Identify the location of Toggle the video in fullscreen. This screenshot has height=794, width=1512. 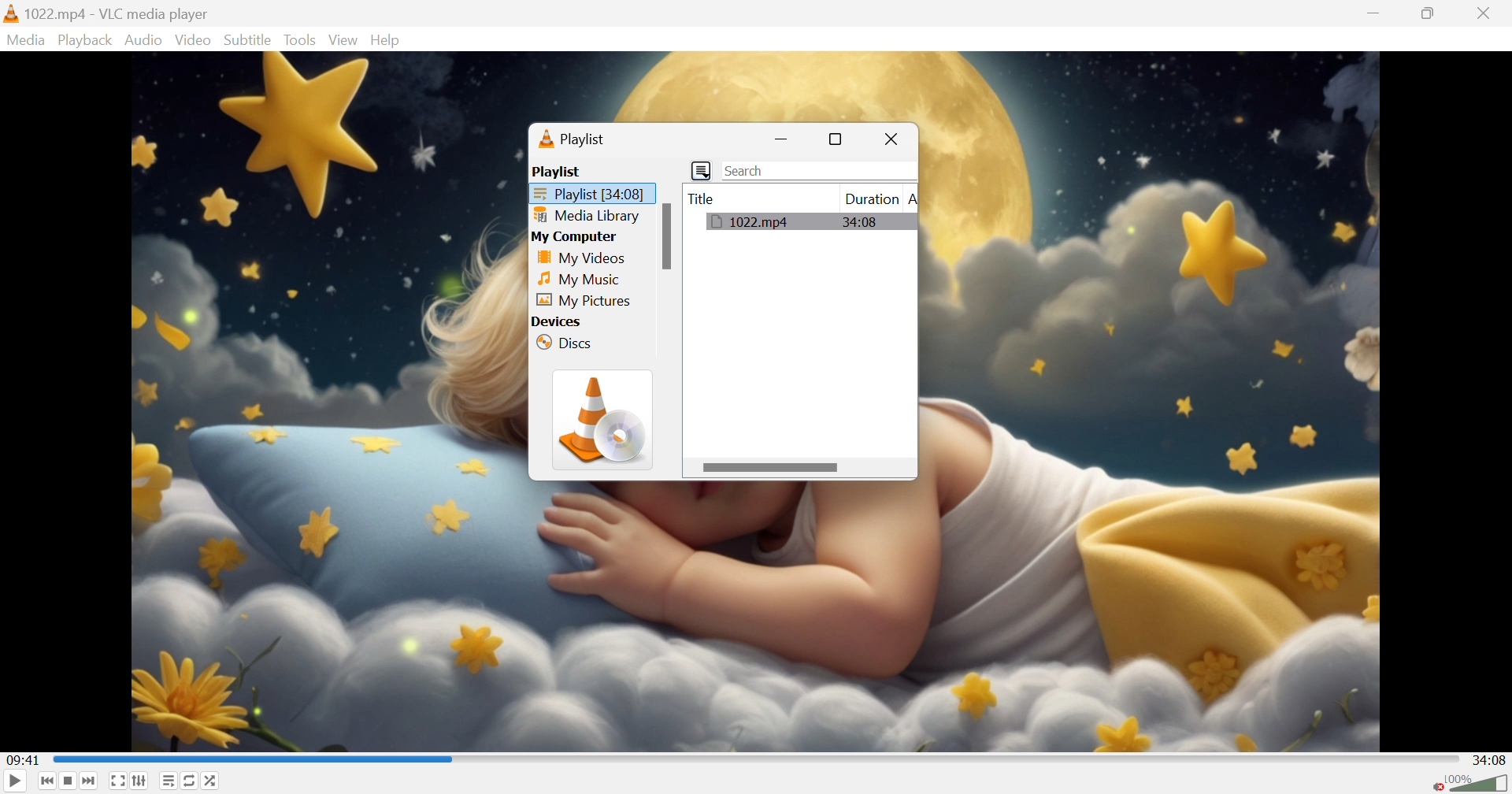
(117, 782).